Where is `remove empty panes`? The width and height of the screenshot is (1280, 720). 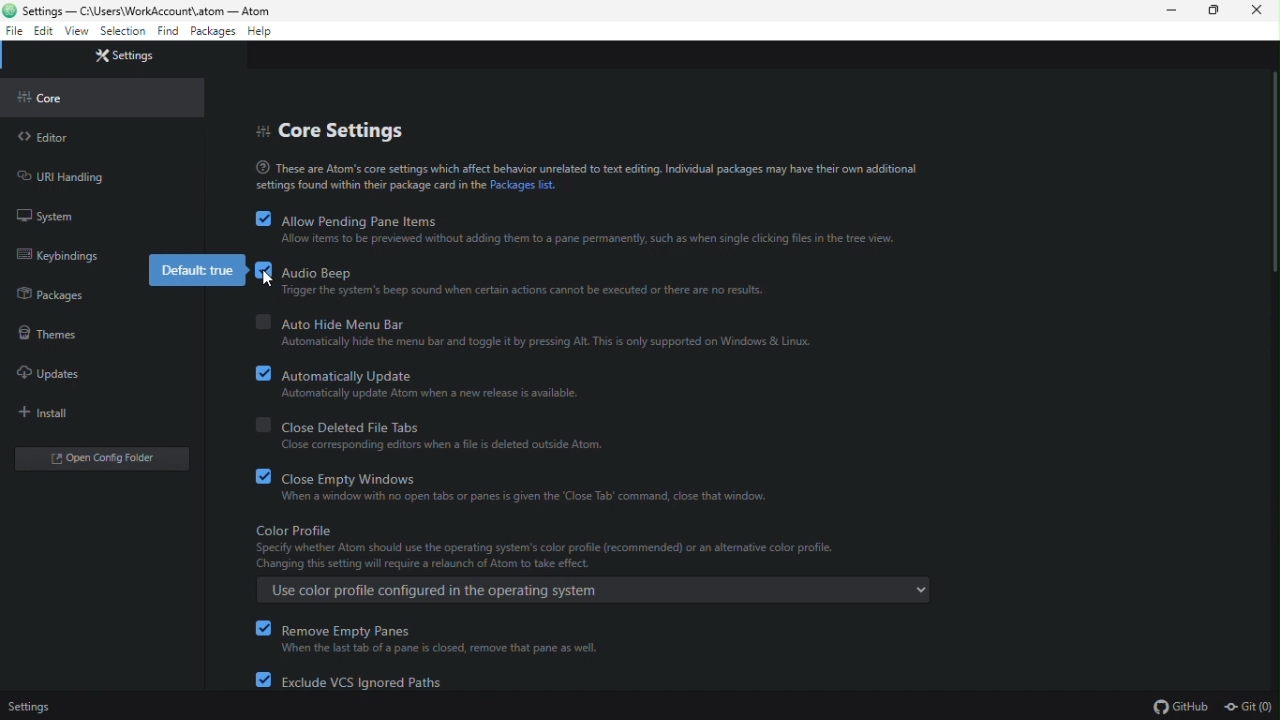 remove empty panes is located at coordinates (429, 629).